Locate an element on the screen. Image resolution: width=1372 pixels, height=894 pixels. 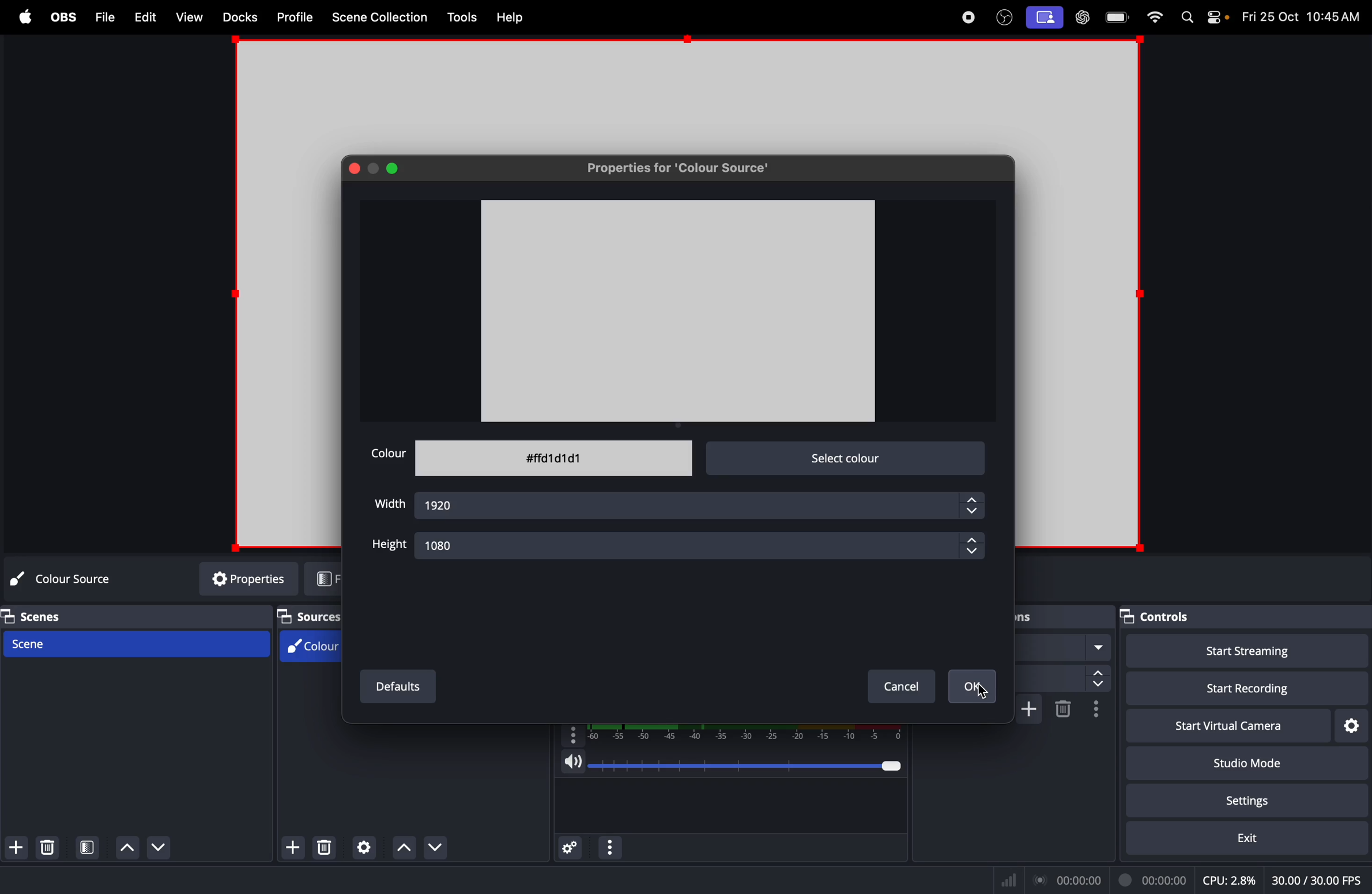
select color is located at coordinates (847, 458).